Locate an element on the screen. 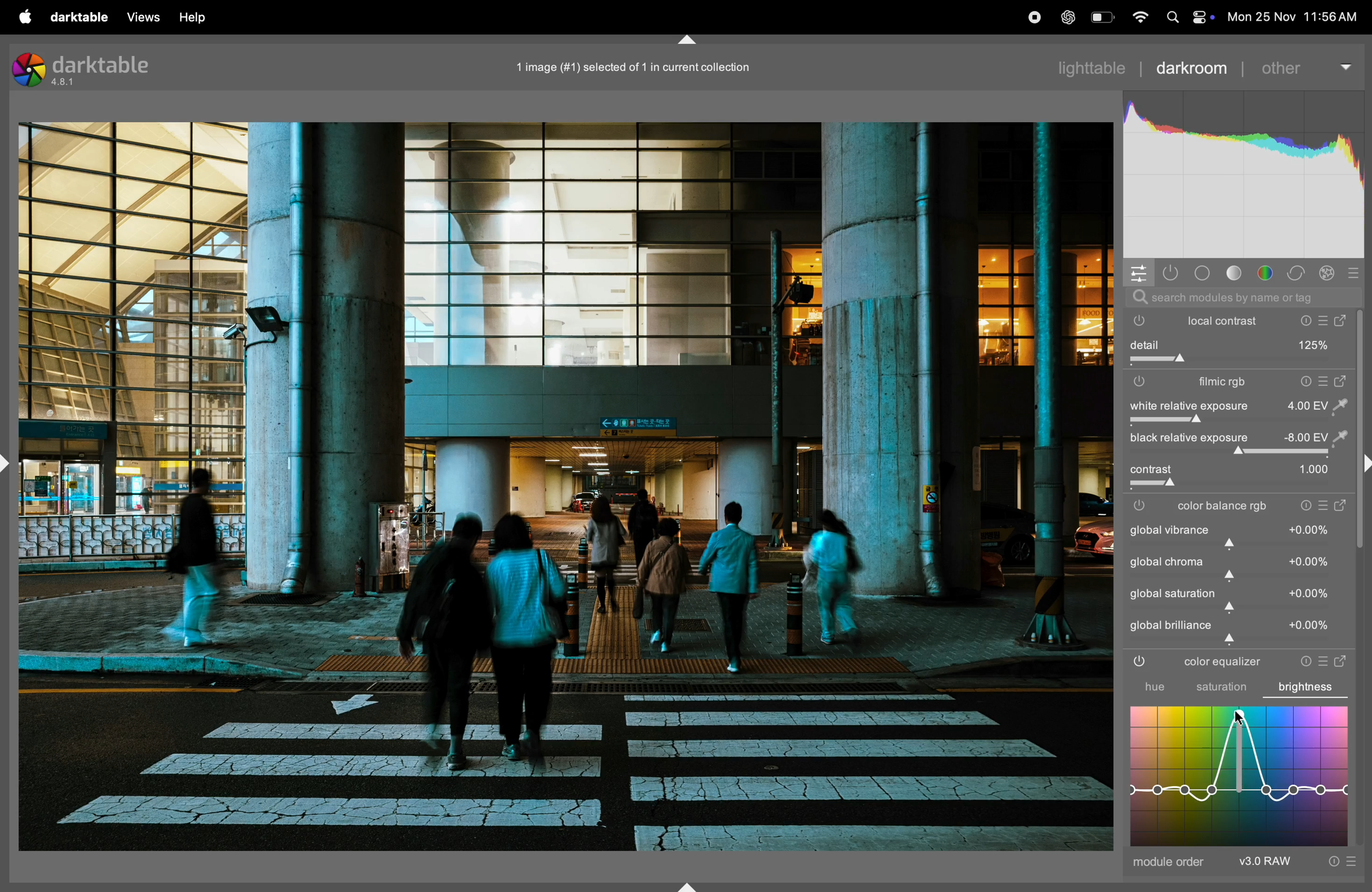 The width and height of the screenshot is (1372, 892). color equalizer is on is located at coordinates (1140, 663).